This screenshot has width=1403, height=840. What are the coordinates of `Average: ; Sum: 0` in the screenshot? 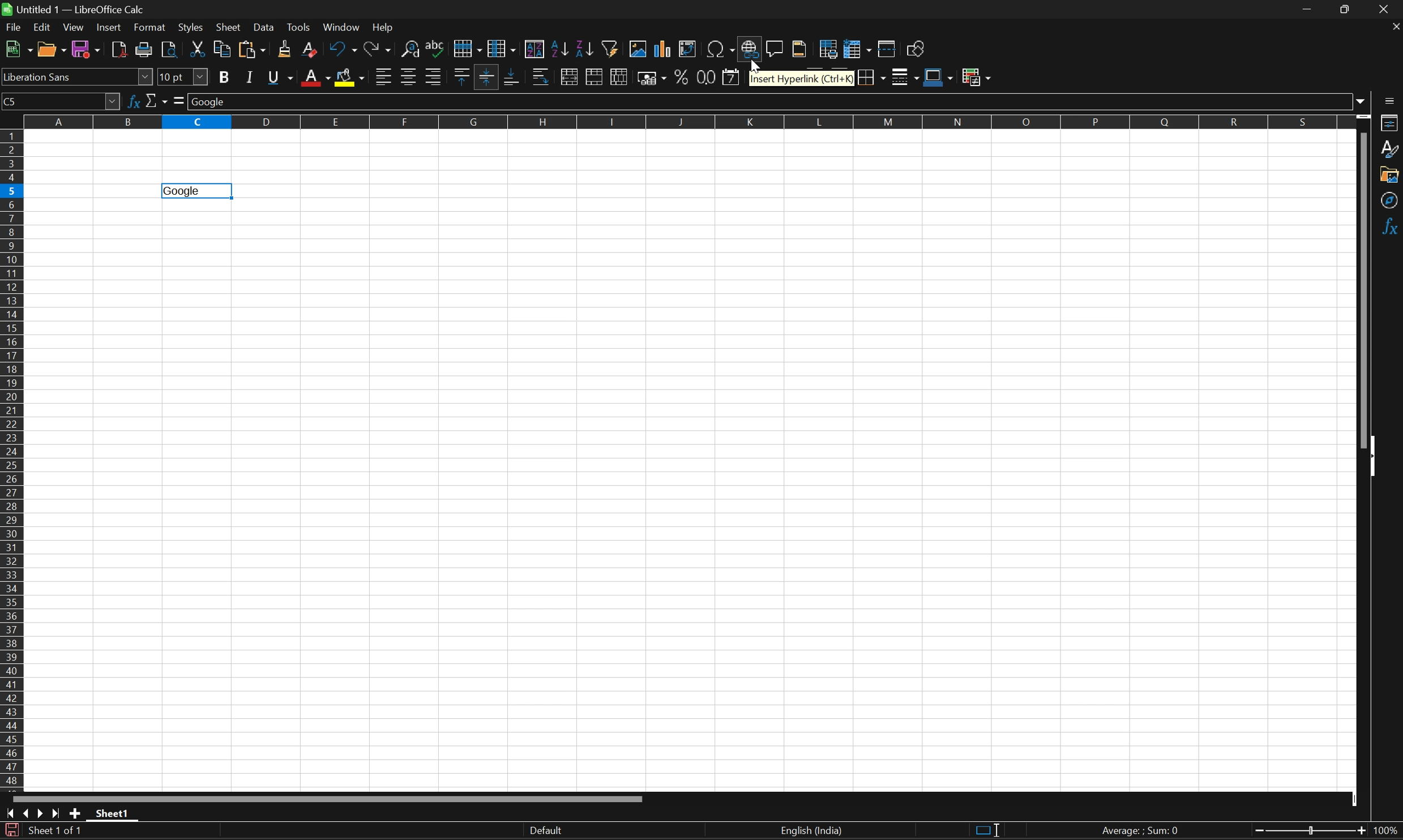 It's located at (1143, 832).